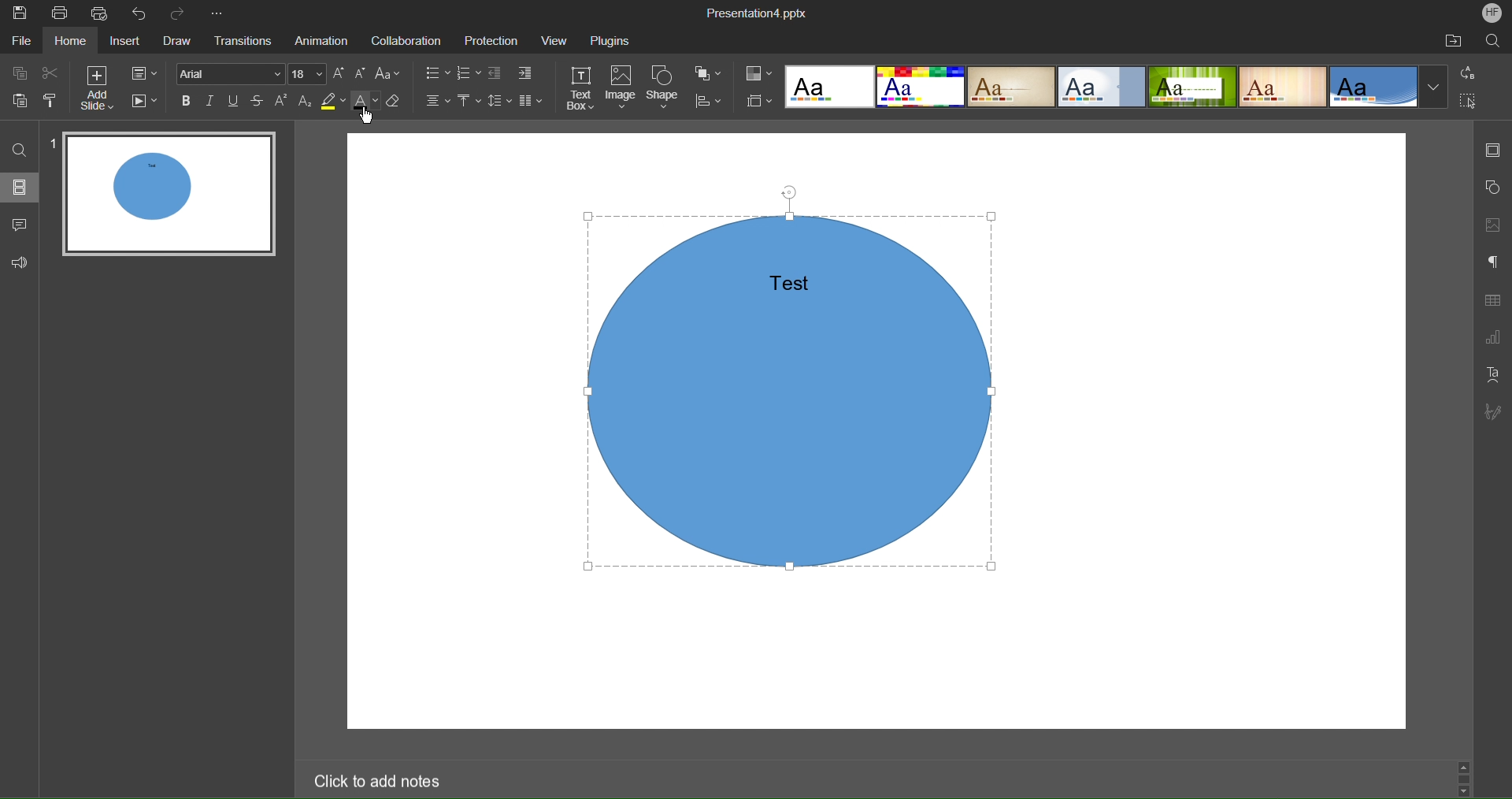  Describe the element at coordinates (98, 91) in the screenshot. I see `Add Slide` at that location.